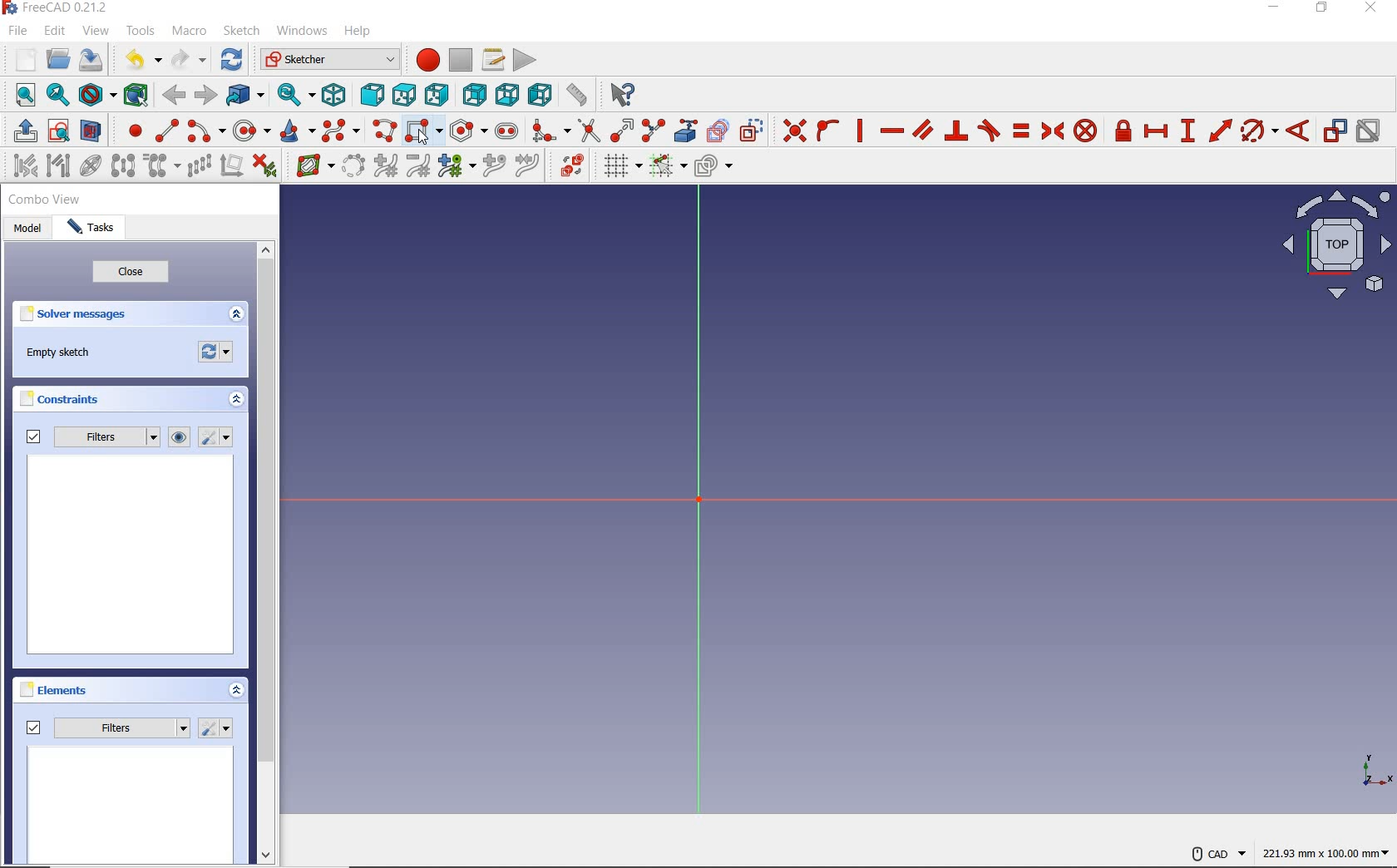  What do you see at coordinates (619, 167) in the screenshot?
I see `toggle grid` at bounding box center [619, 167].